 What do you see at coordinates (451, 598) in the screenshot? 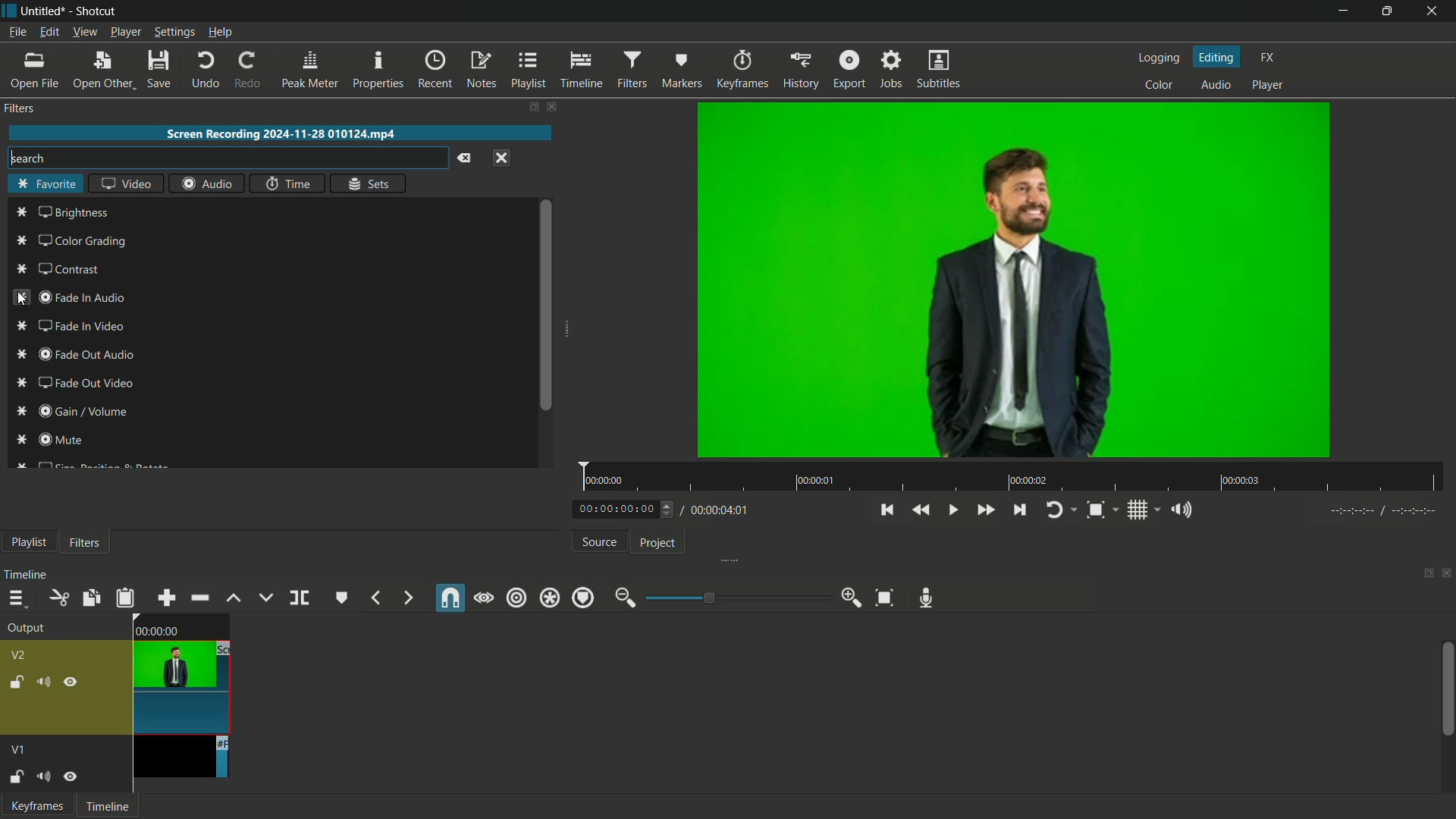
I see `snap` at bounding box center [451, 598].